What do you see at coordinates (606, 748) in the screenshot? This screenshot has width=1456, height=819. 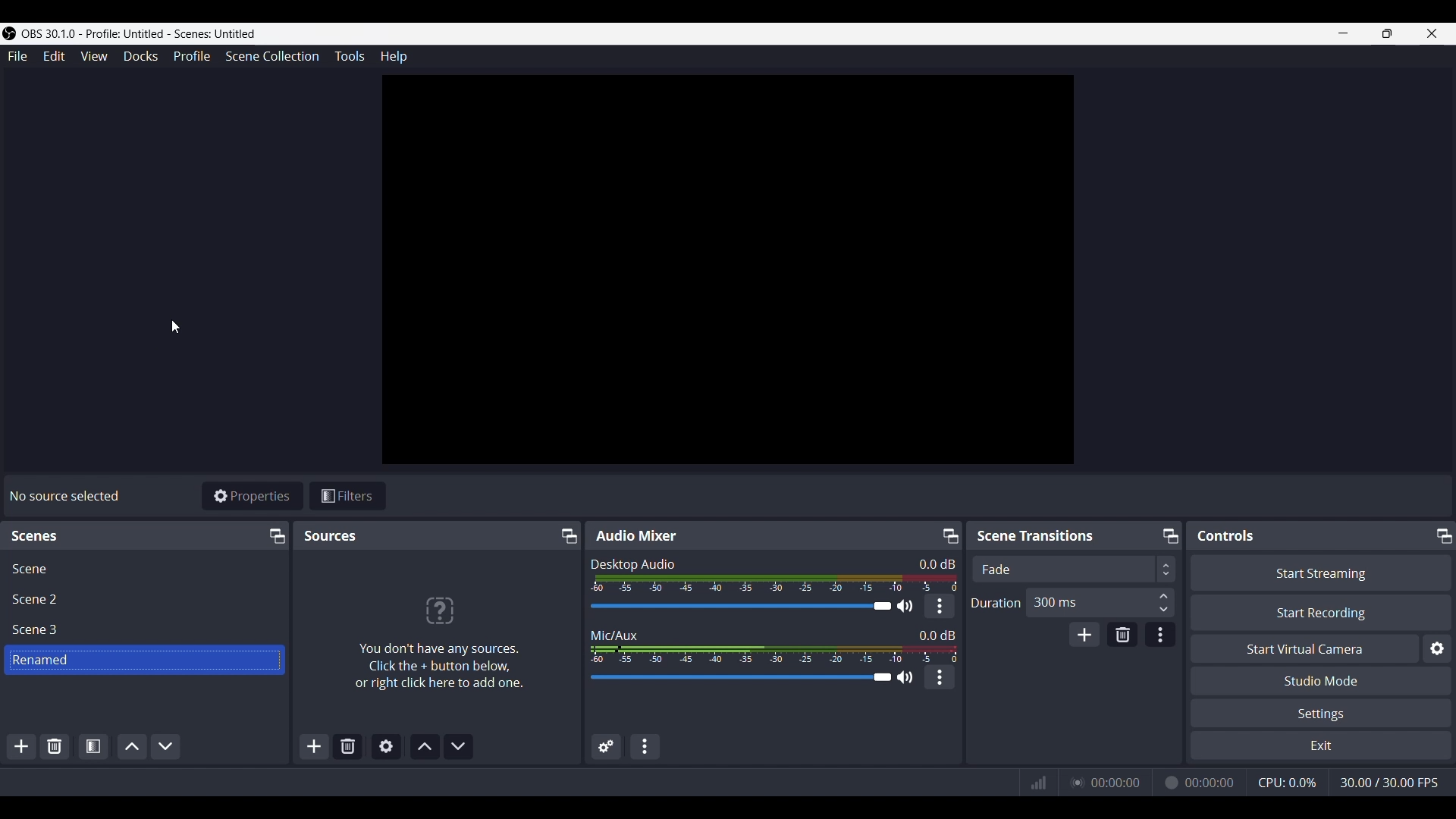 I see `Advanced Audio Properties` at bounding box center [606, 748].